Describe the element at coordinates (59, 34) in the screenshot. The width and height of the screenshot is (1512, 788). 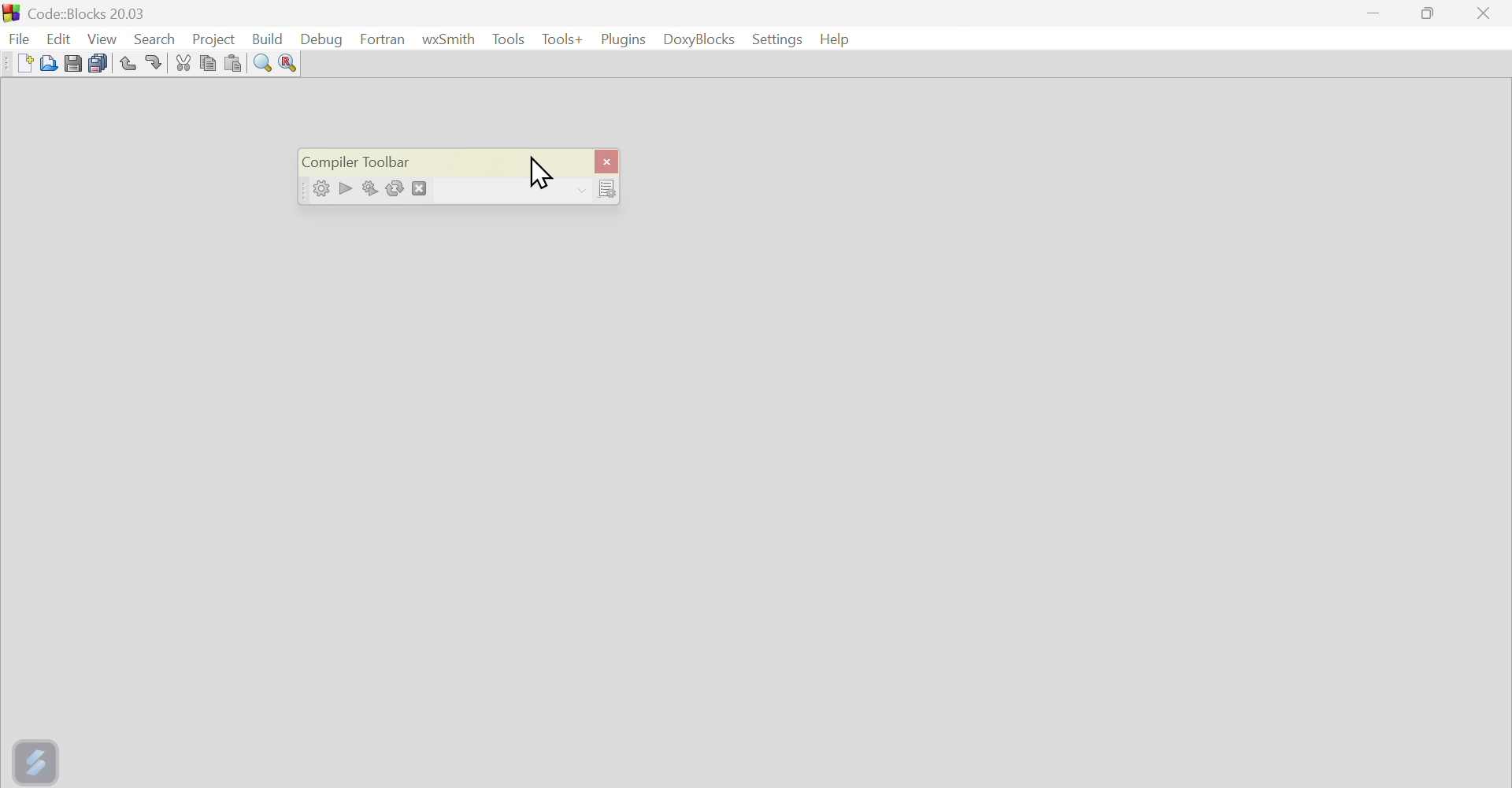
I see `edit` at that location.